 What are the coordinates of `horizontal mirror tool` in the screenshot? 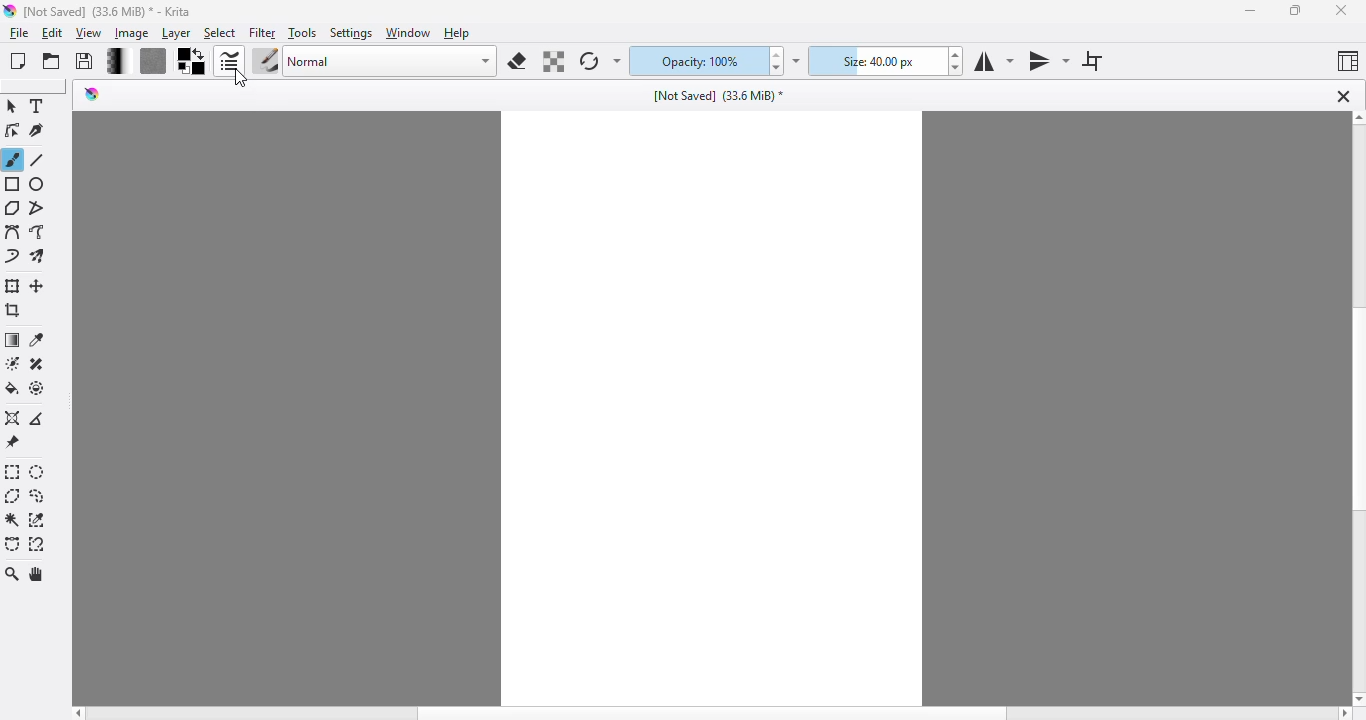 It's located at (995, 62).